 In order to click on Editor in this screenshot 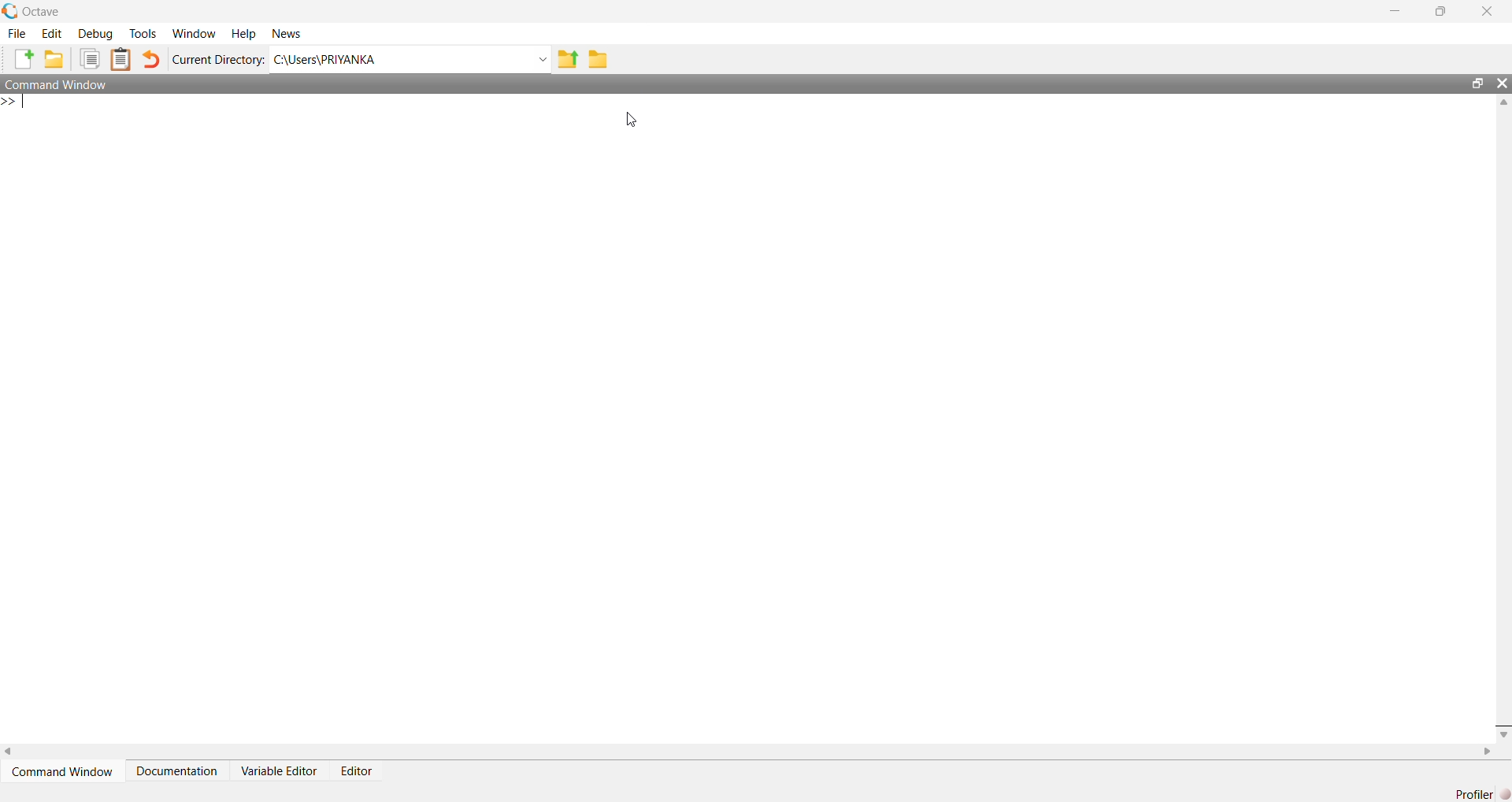, I will do `click(359, 772)`.